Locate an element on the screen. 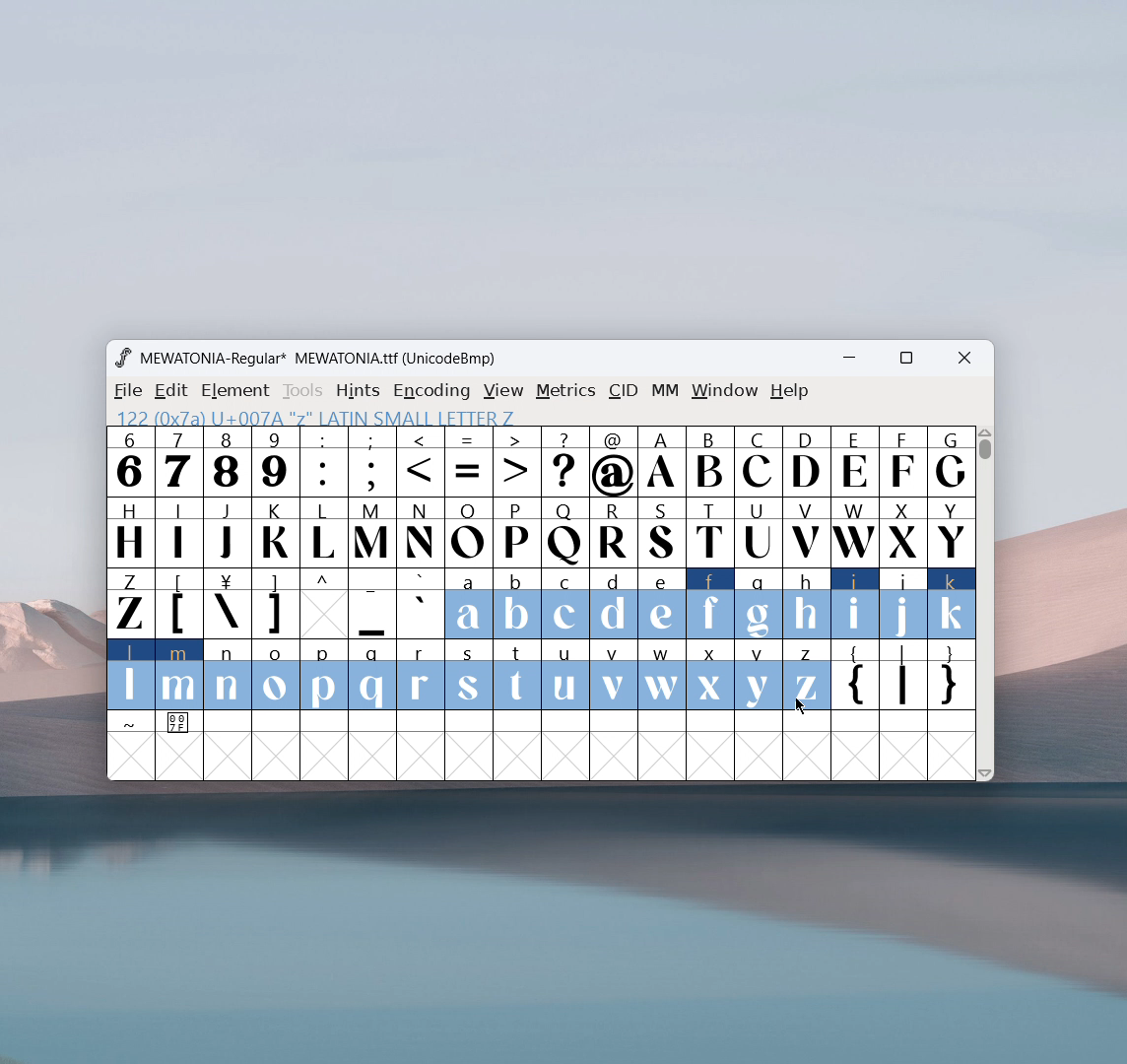 The width and height of the screenshot is (1127, 1064). k is located at coordinates (953, 604).